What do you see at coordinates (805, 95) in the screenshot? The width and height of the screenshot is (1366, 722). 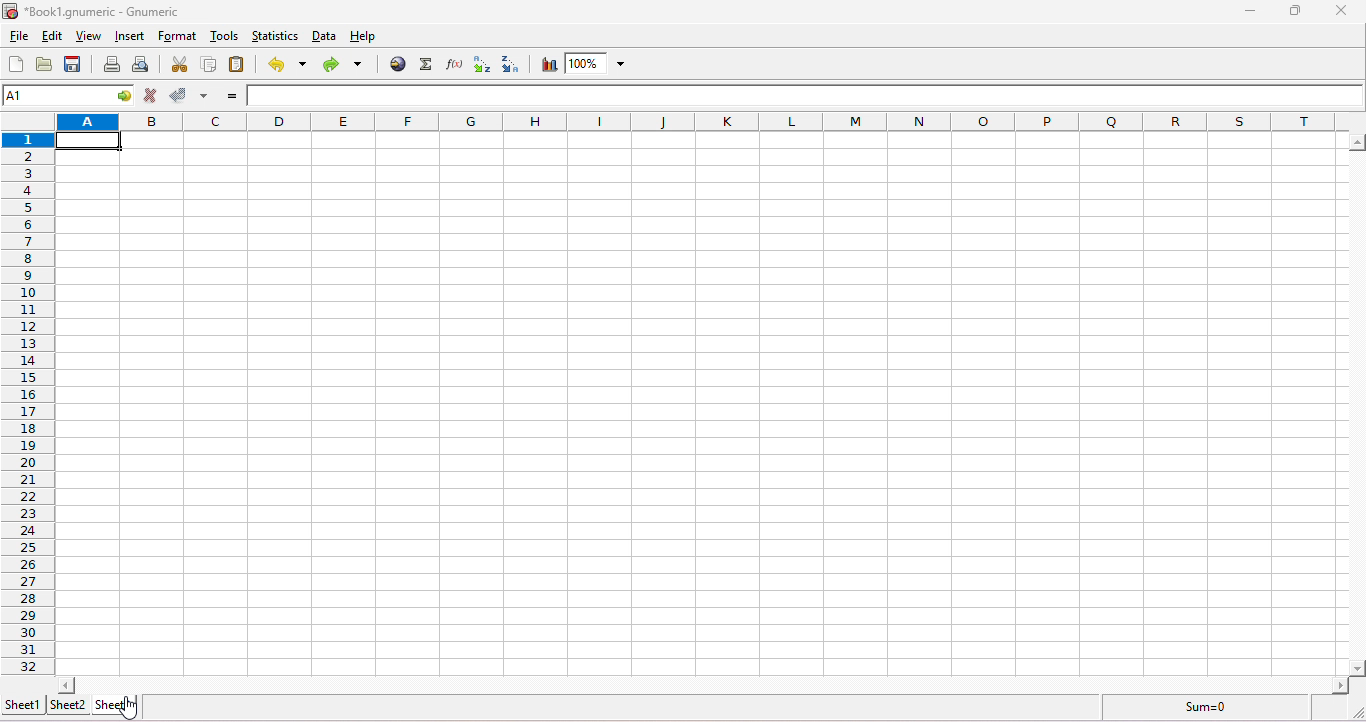 I see `formula bar` at bounding box center [805, 95].